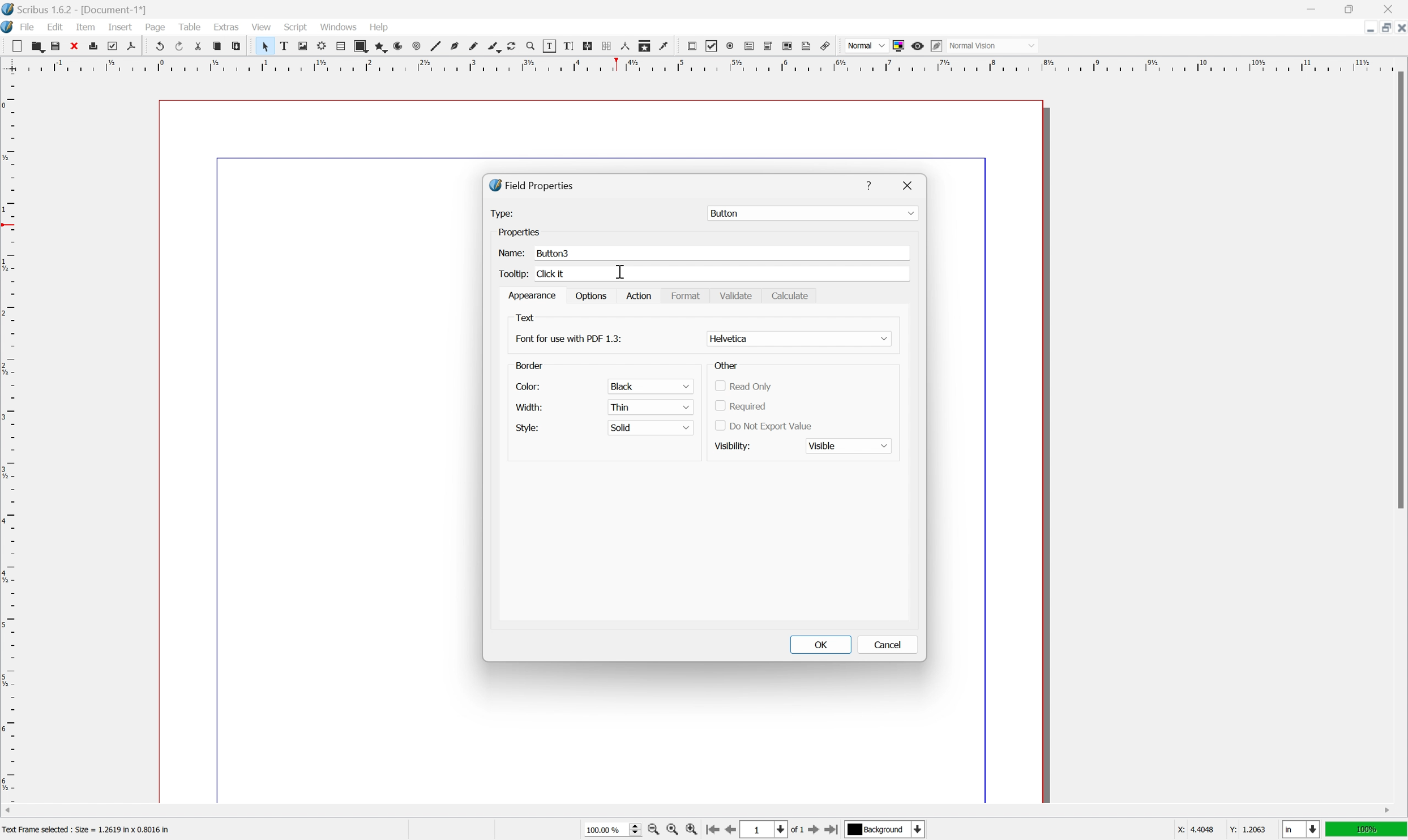 The image size is (1408, 840). Describe the element at coordinates (700, 65) in the screenshot. I see `ruler` at that location.